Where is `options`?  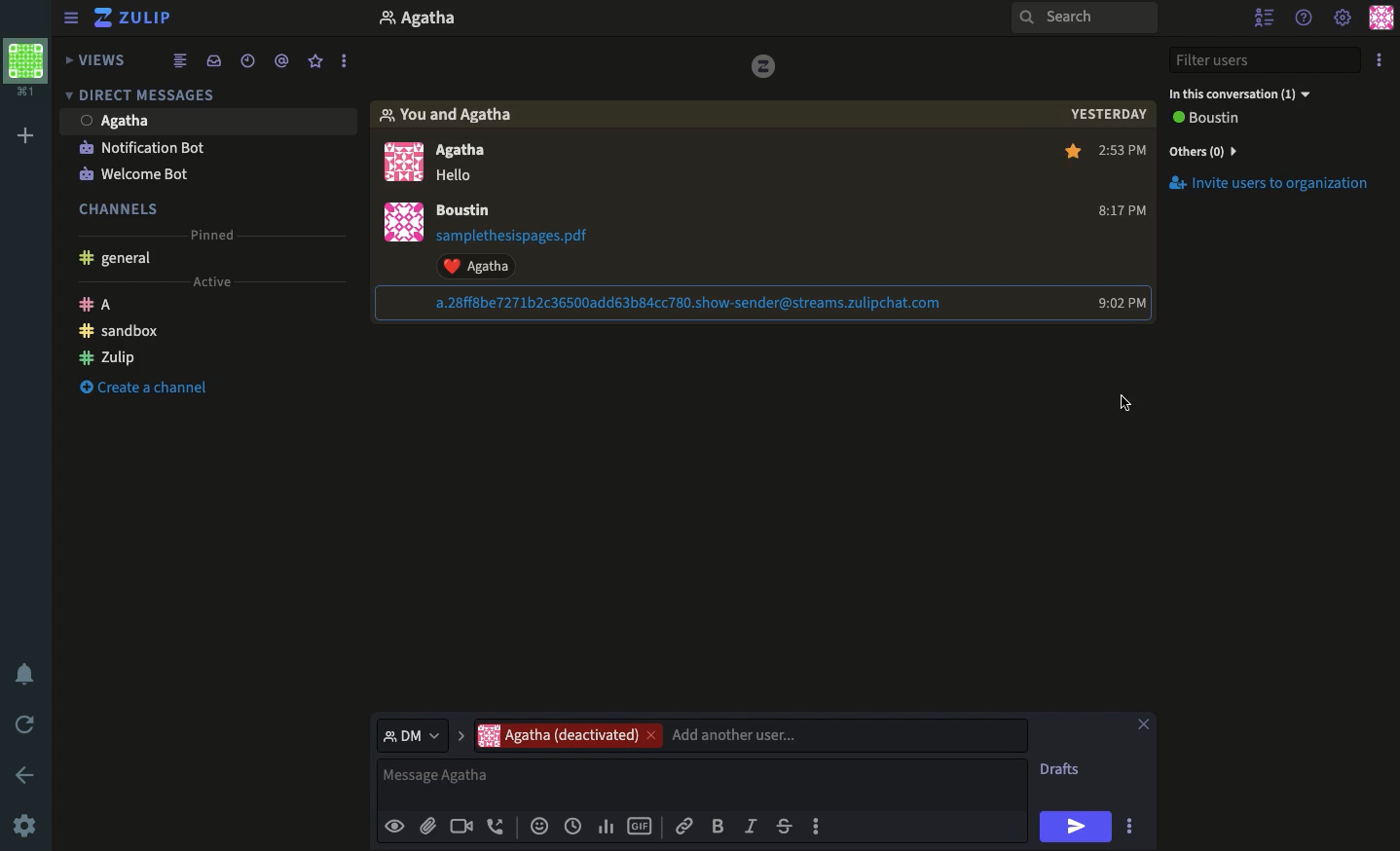 options is located at coordinates (345, 60).